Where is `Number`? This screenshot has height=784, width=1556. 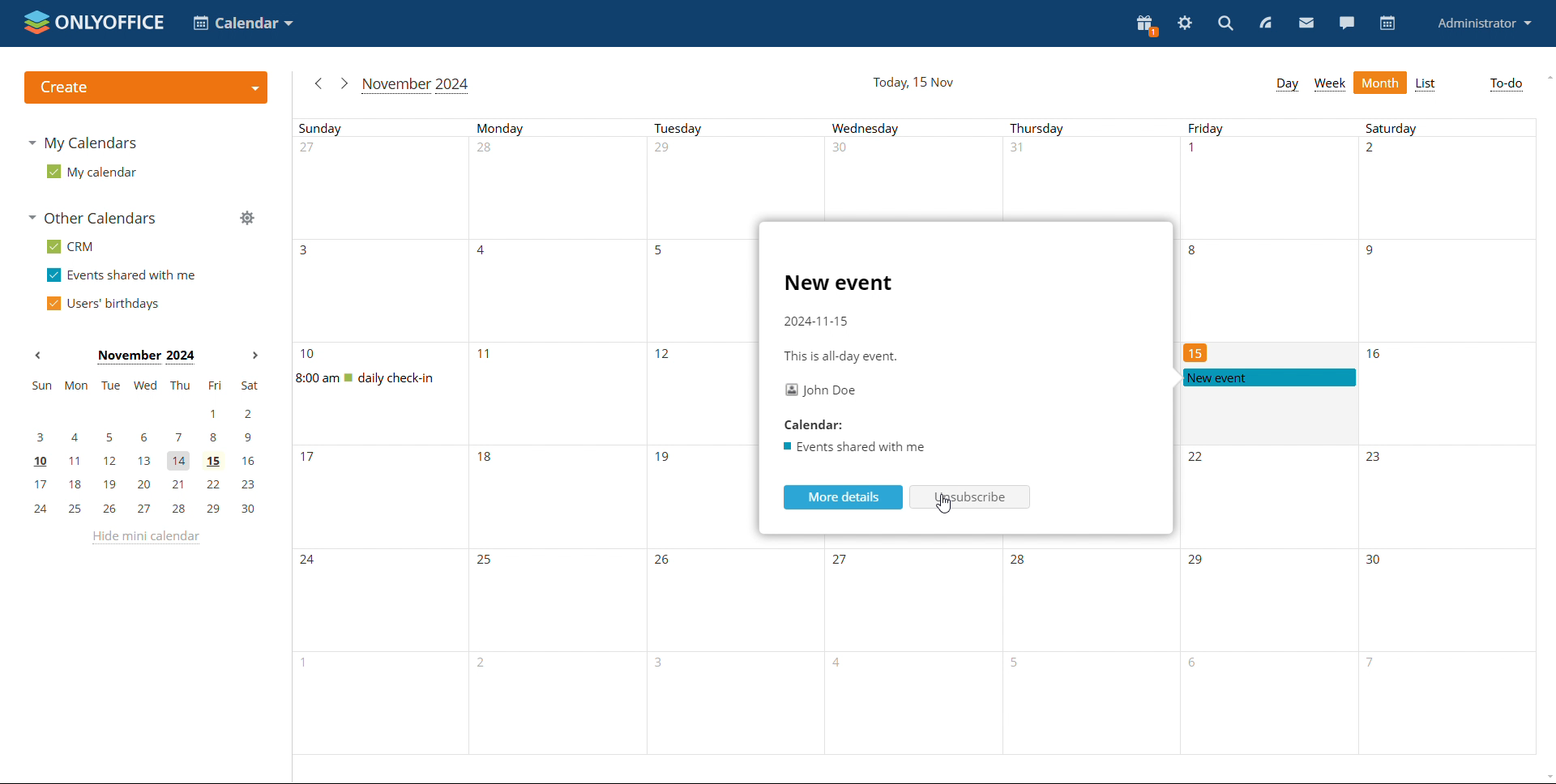 Number is located at coordinates (1195, 151).